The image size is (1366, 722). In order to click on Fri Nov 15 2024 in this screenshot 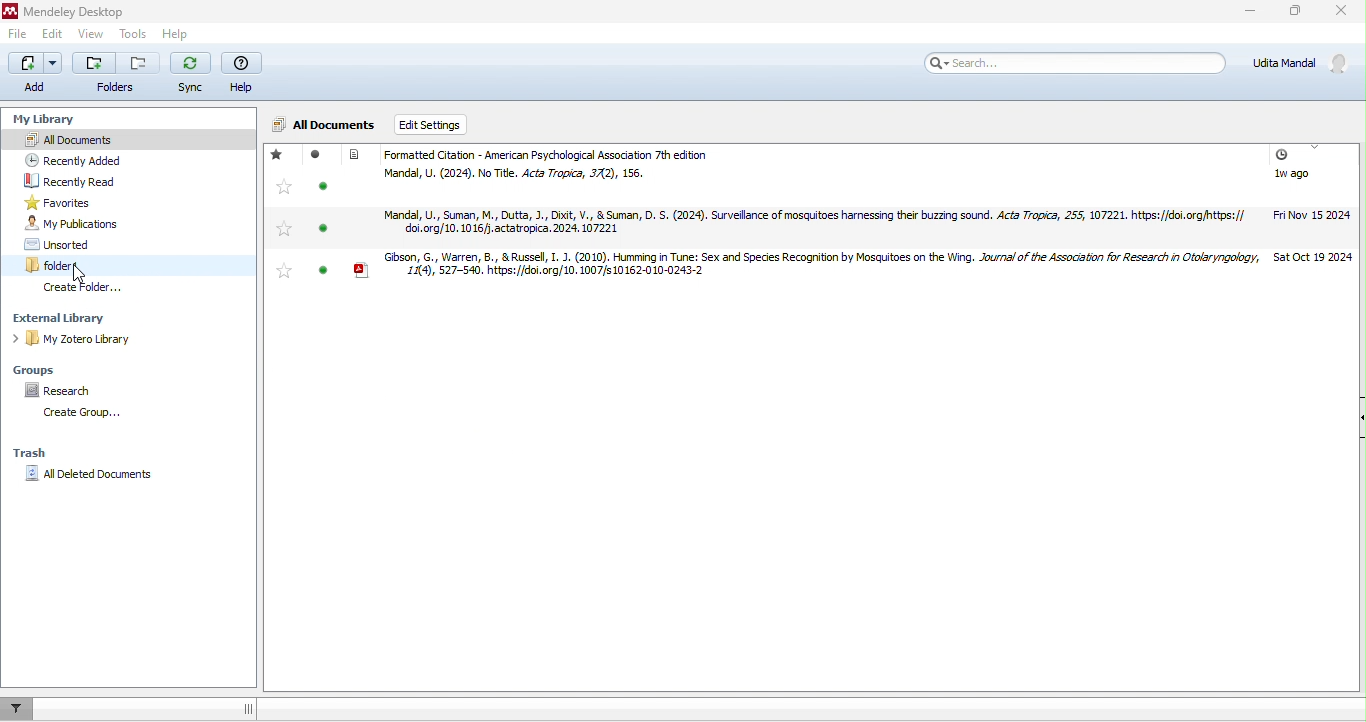, I will do `click(1313, 215)`.